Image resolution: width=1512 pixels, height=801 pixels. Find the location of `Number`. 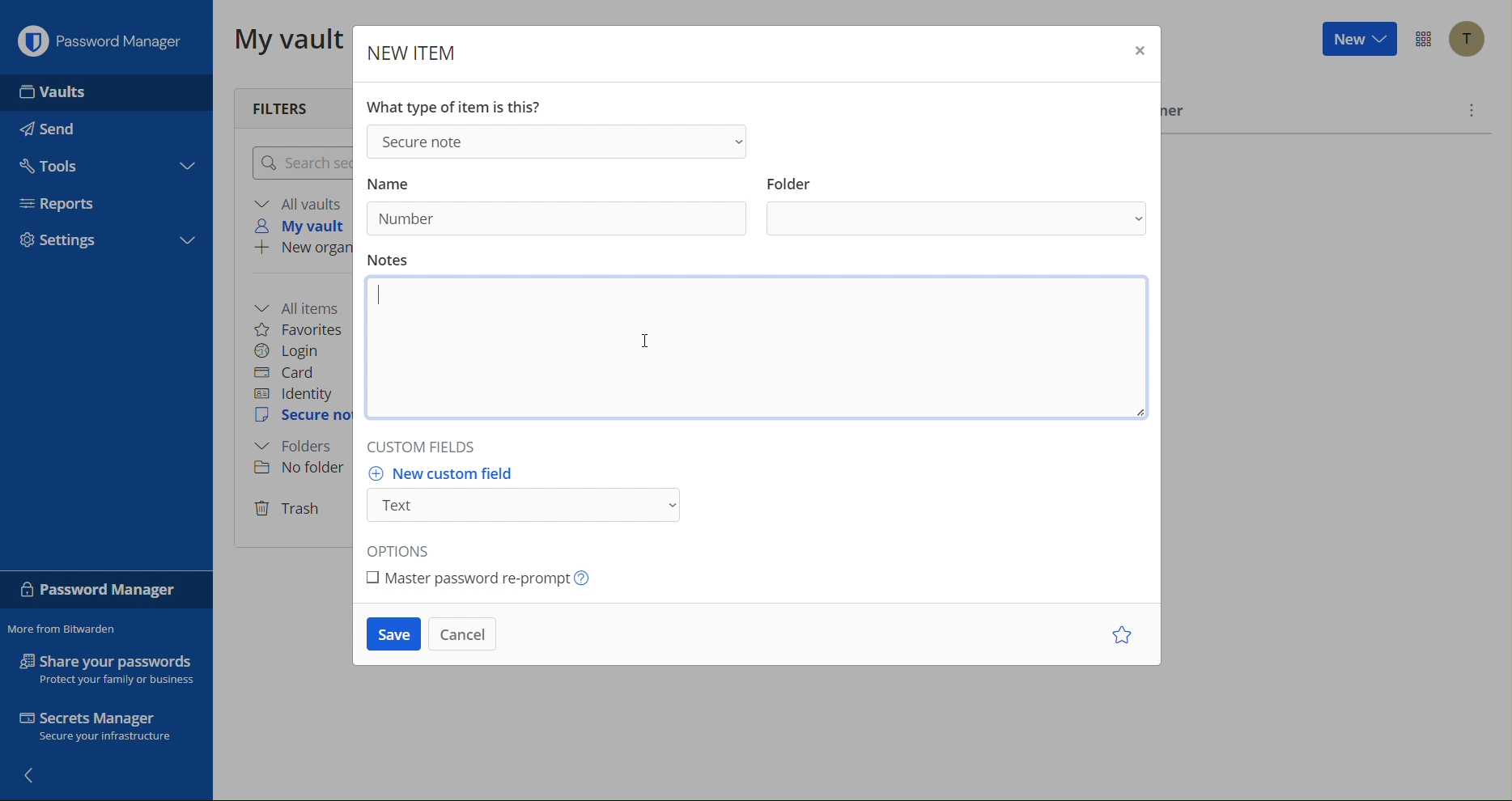

Number is located at coordinates (406, 218).